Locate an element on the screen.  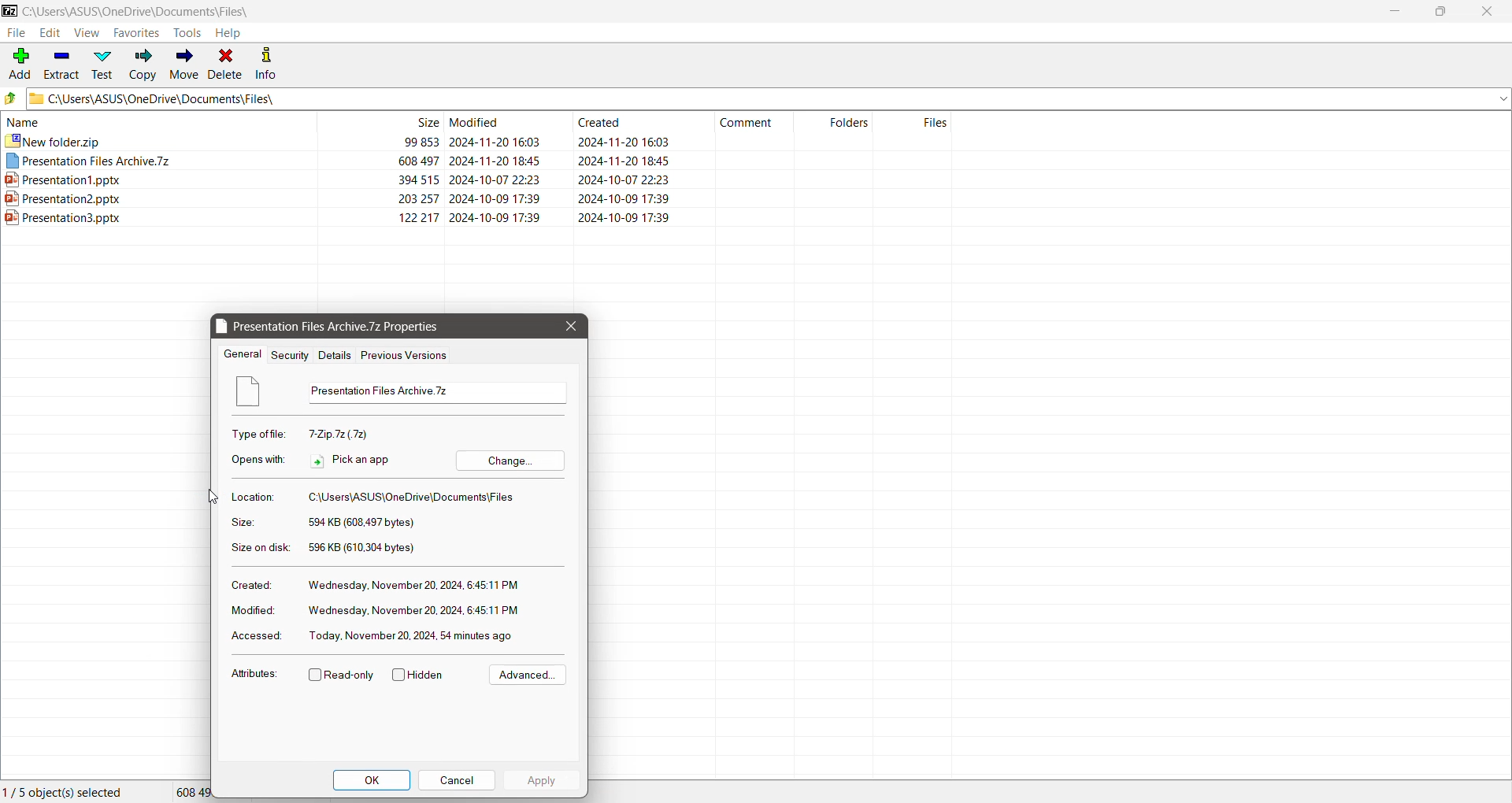
Archive File Accessed Date is located at coordinates (421, 636).